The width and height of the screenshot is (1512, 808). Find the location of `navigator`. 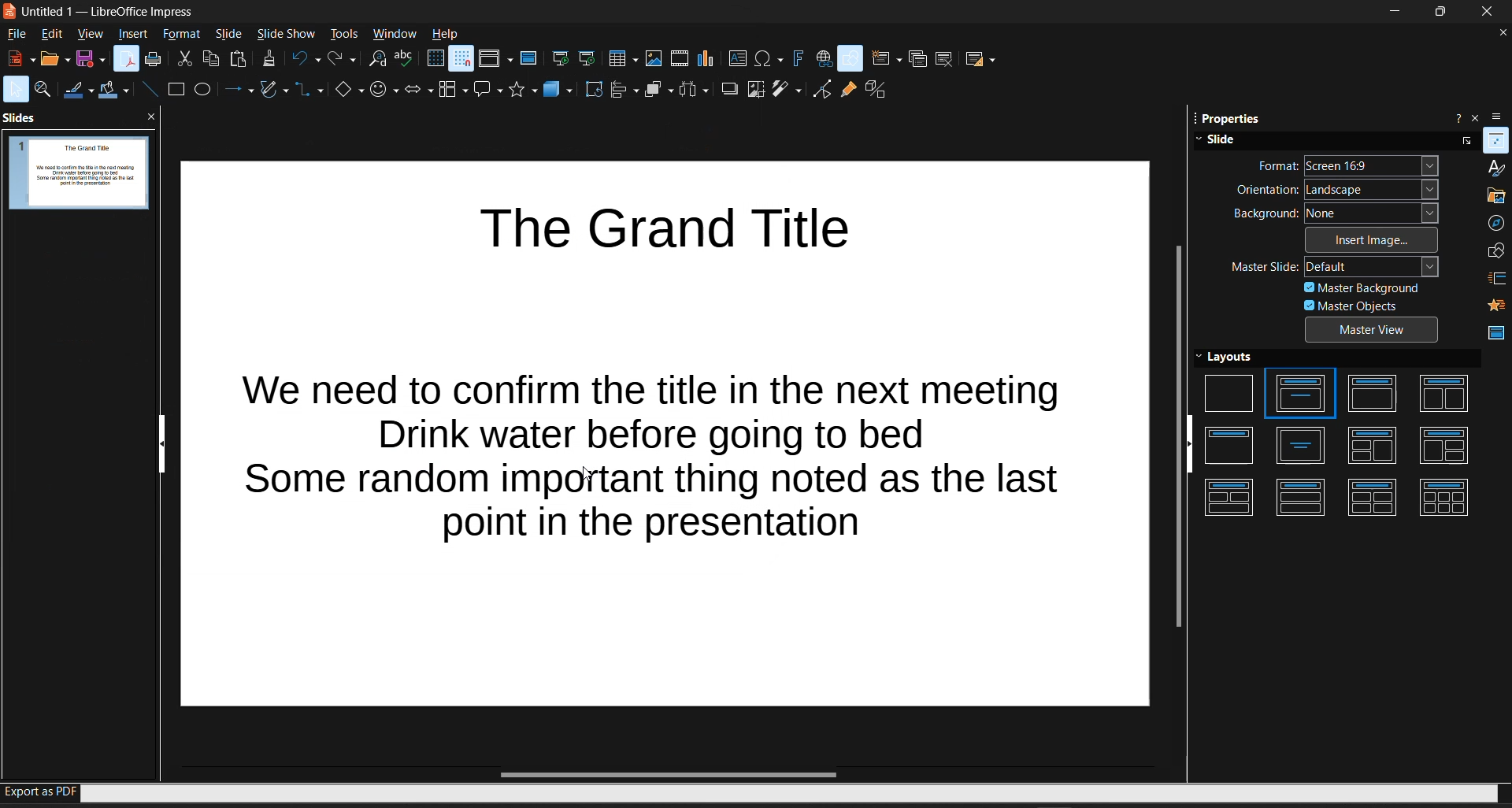

navigator is located at coordinates (1496, 223).